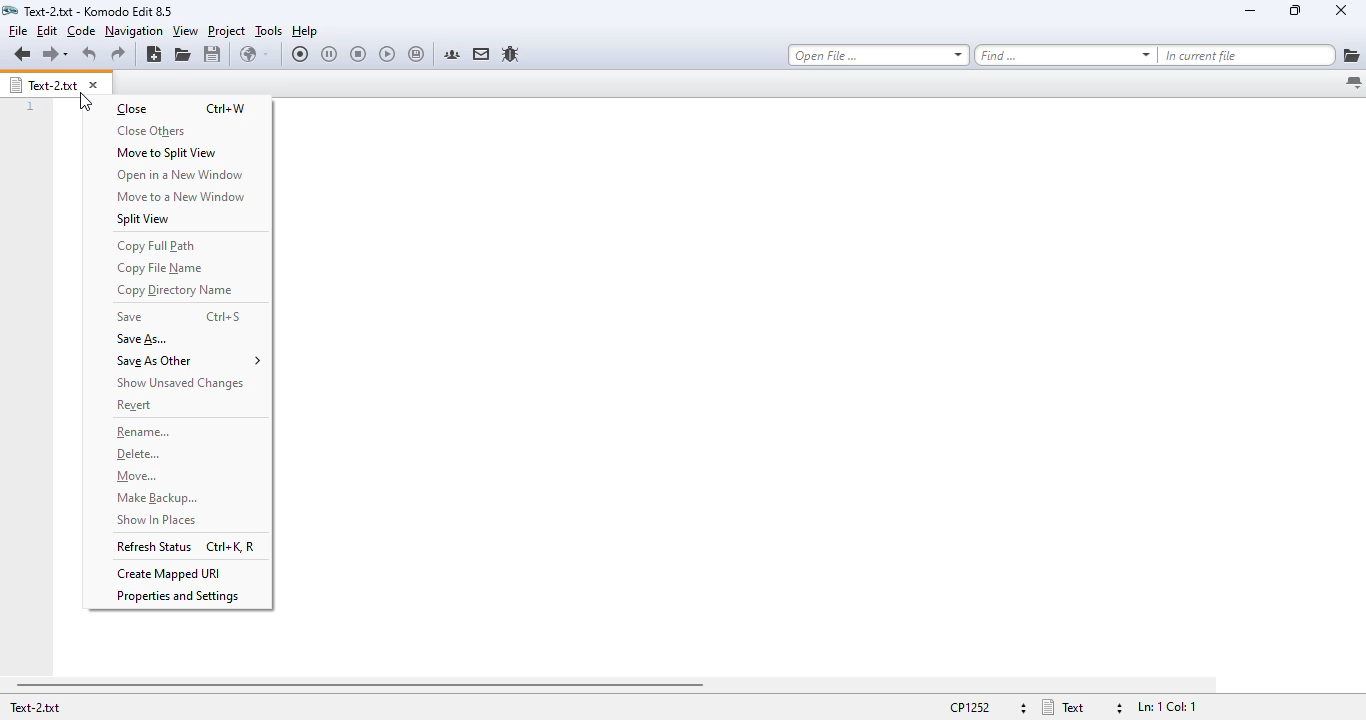 Image resolution: width=1366 pixels, height=720 pixels. Describe the element at coordinates (44, 84) in the screenshot. I see `text-2` at that location.